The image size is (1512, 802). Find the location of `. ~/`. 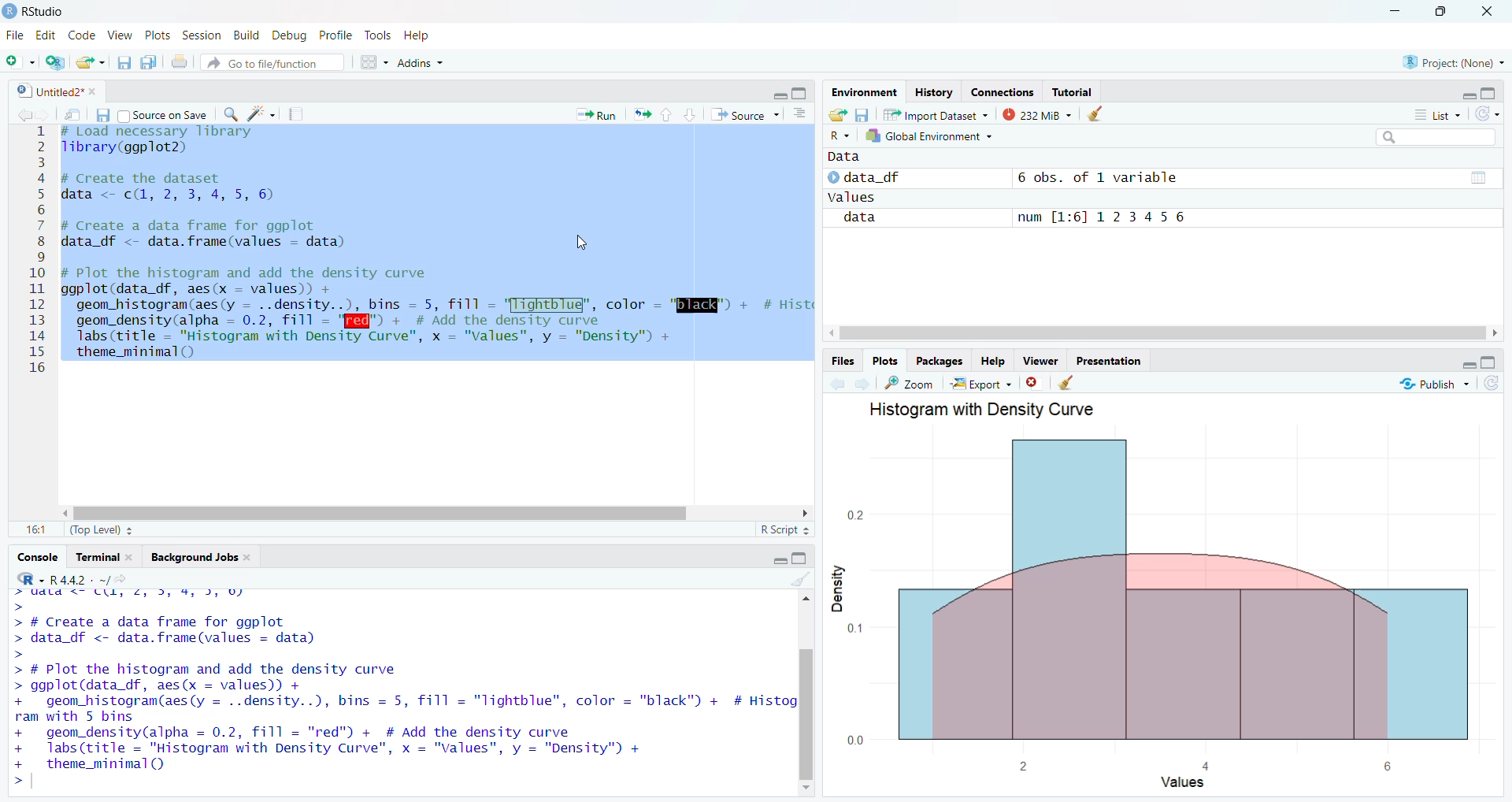

. ~/ is located at coordinates (101, 578).